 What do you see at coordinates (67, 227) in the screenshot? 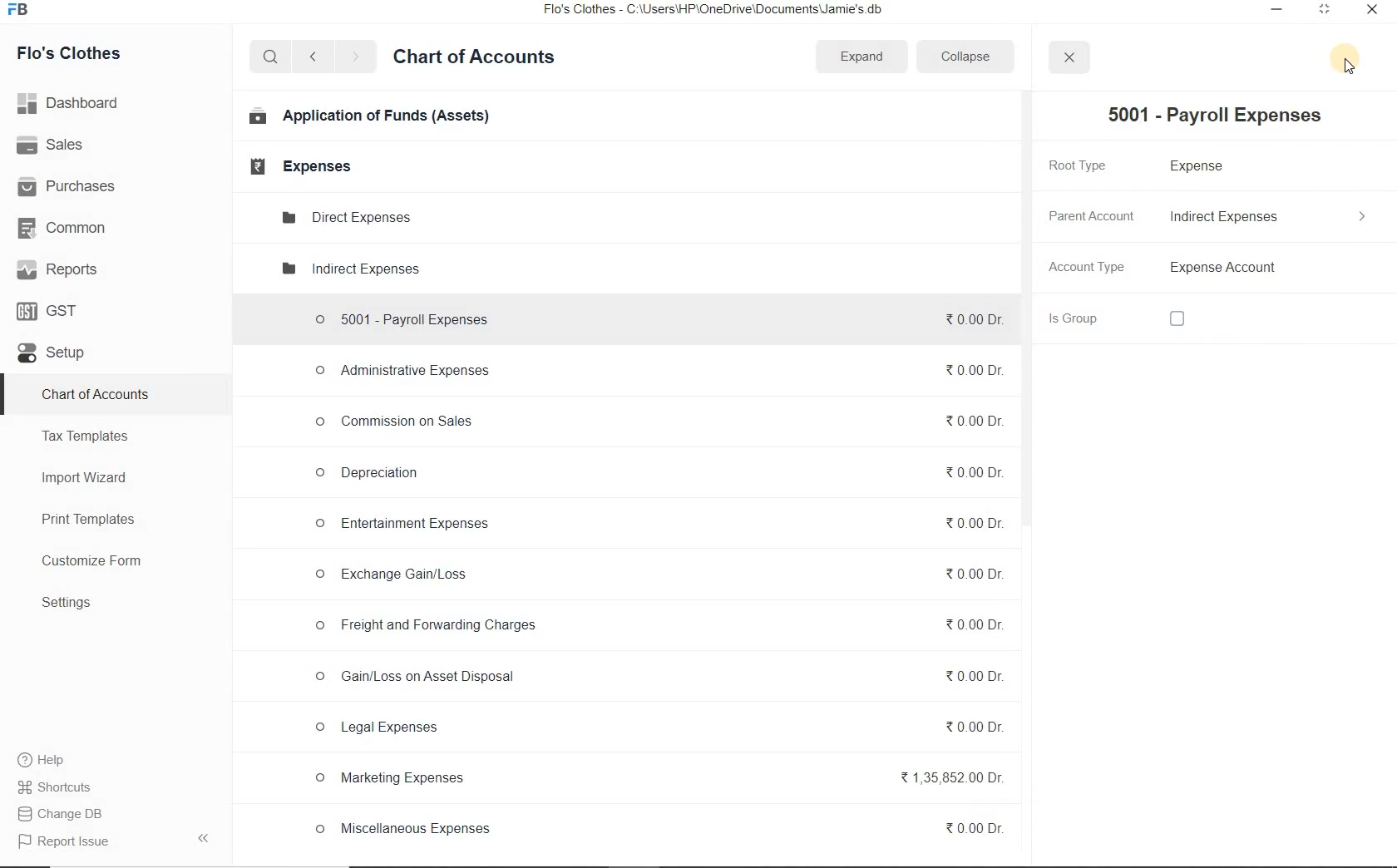
I see `Common` at bounding box center [67, 227].